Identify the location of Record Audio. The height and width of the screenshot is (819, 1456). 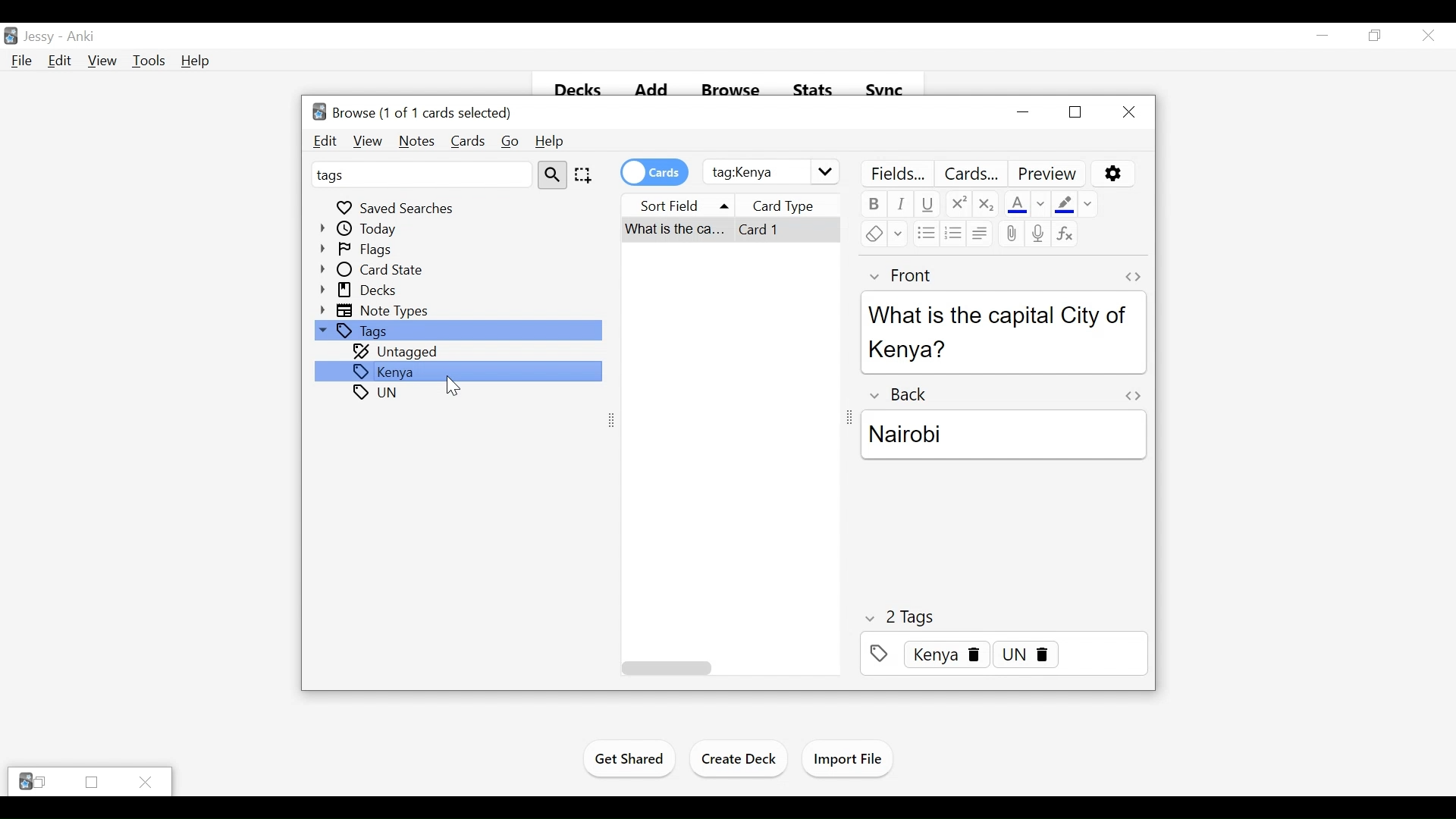
(1039, 234).